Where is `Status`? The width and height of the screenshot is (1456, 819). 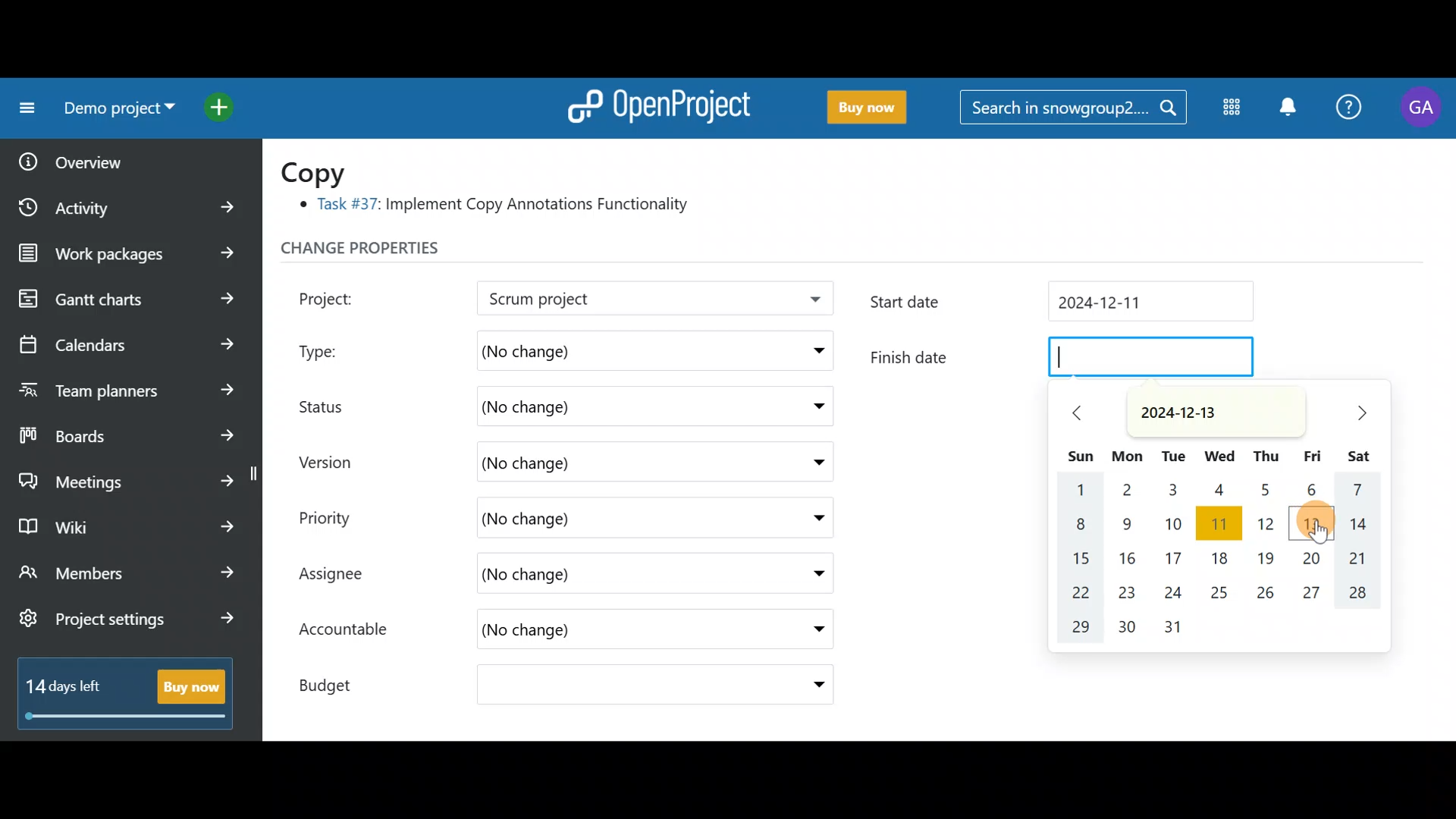 Status is located at coordinates (334, 404).